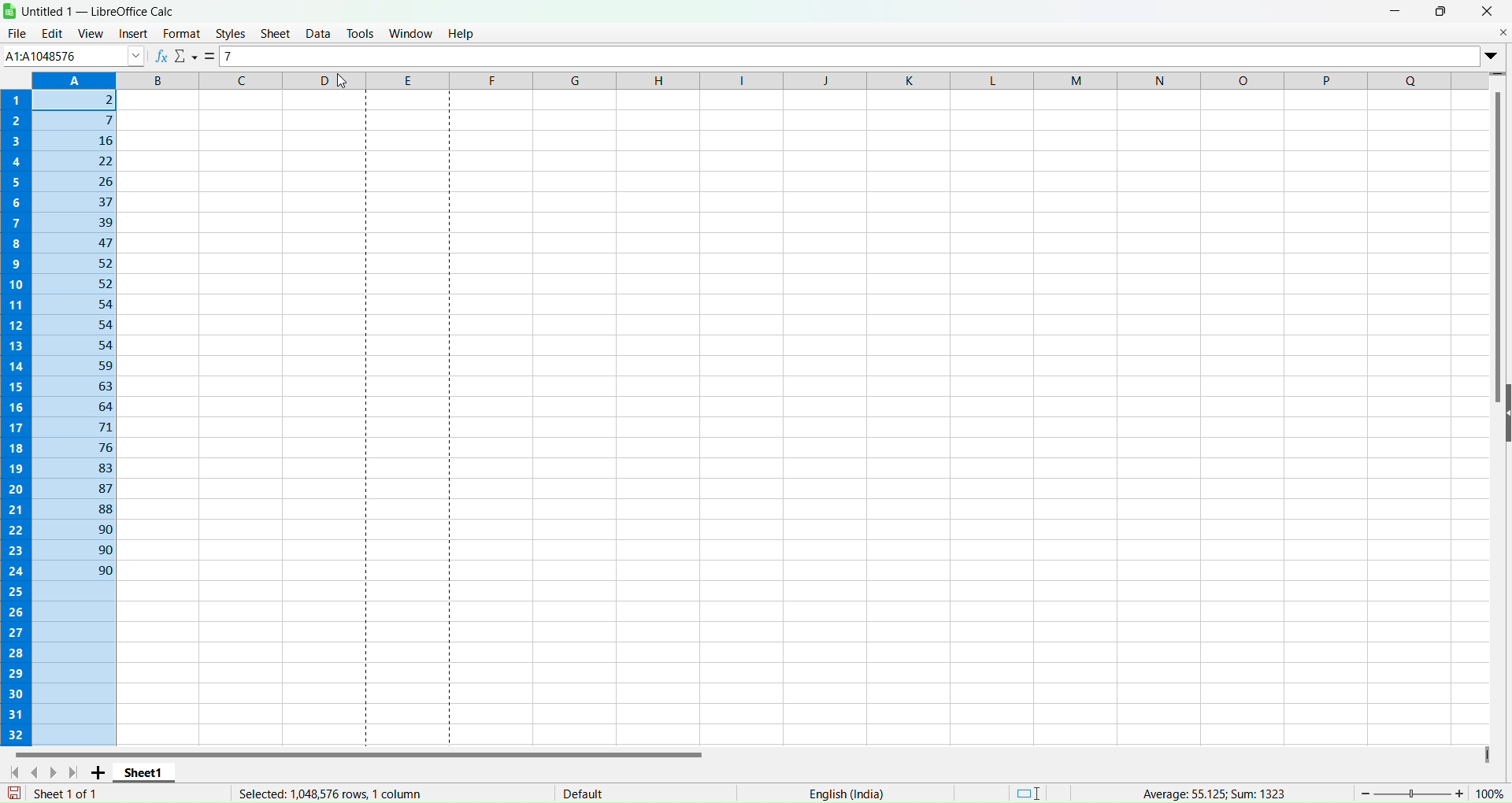 The width and height of the screenshot is (1512, 803). Describe the element at coordinates (131, 34) in the screenshot. I see `Insert` at that location.